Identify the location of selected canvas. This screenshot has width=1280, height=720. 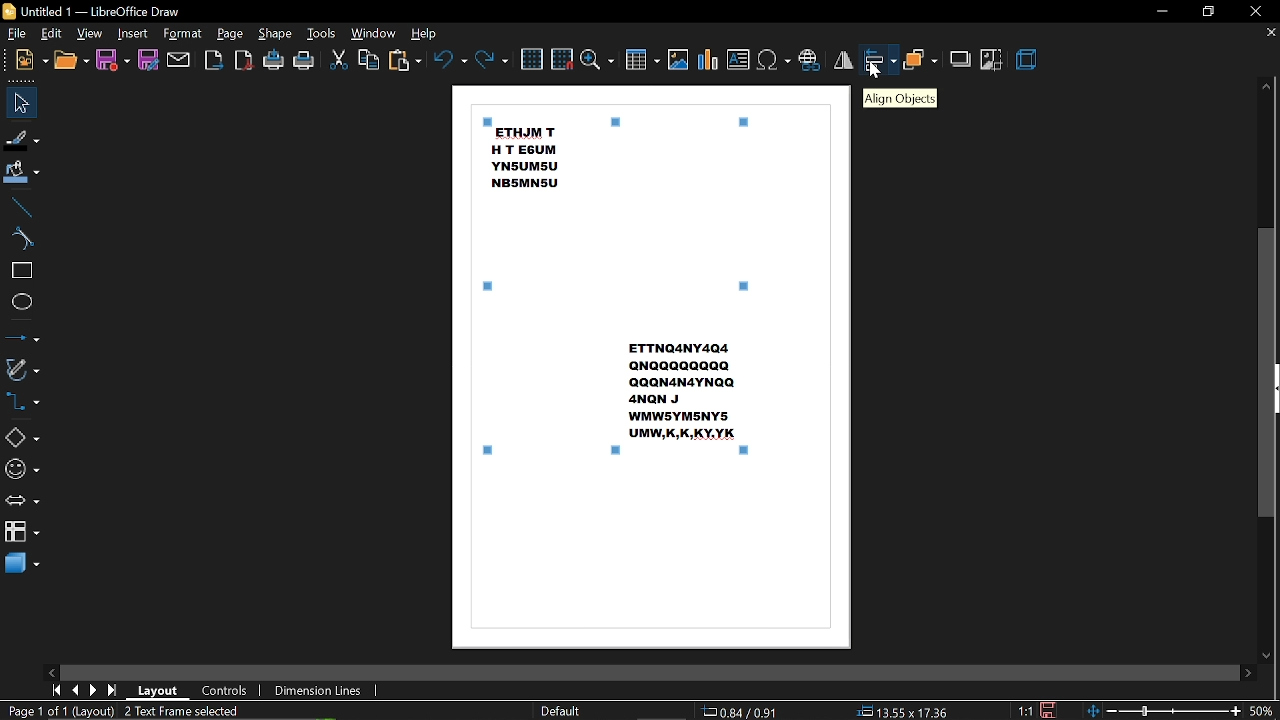
(622, 291).